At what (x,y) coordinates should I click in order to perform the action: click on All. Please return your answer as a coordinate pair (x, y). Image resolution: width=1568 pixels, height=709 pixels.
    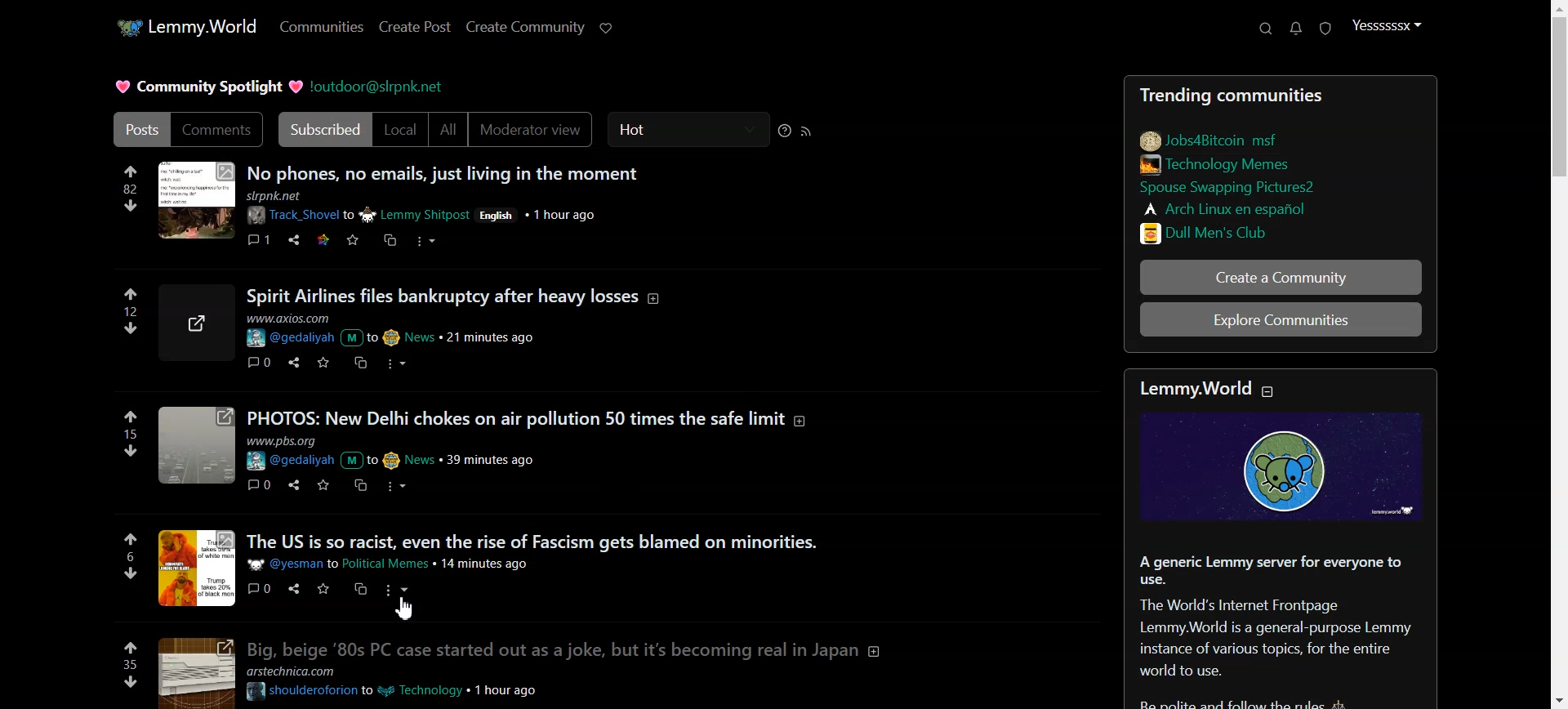
    Looking at the image, I should click on (448, 130).